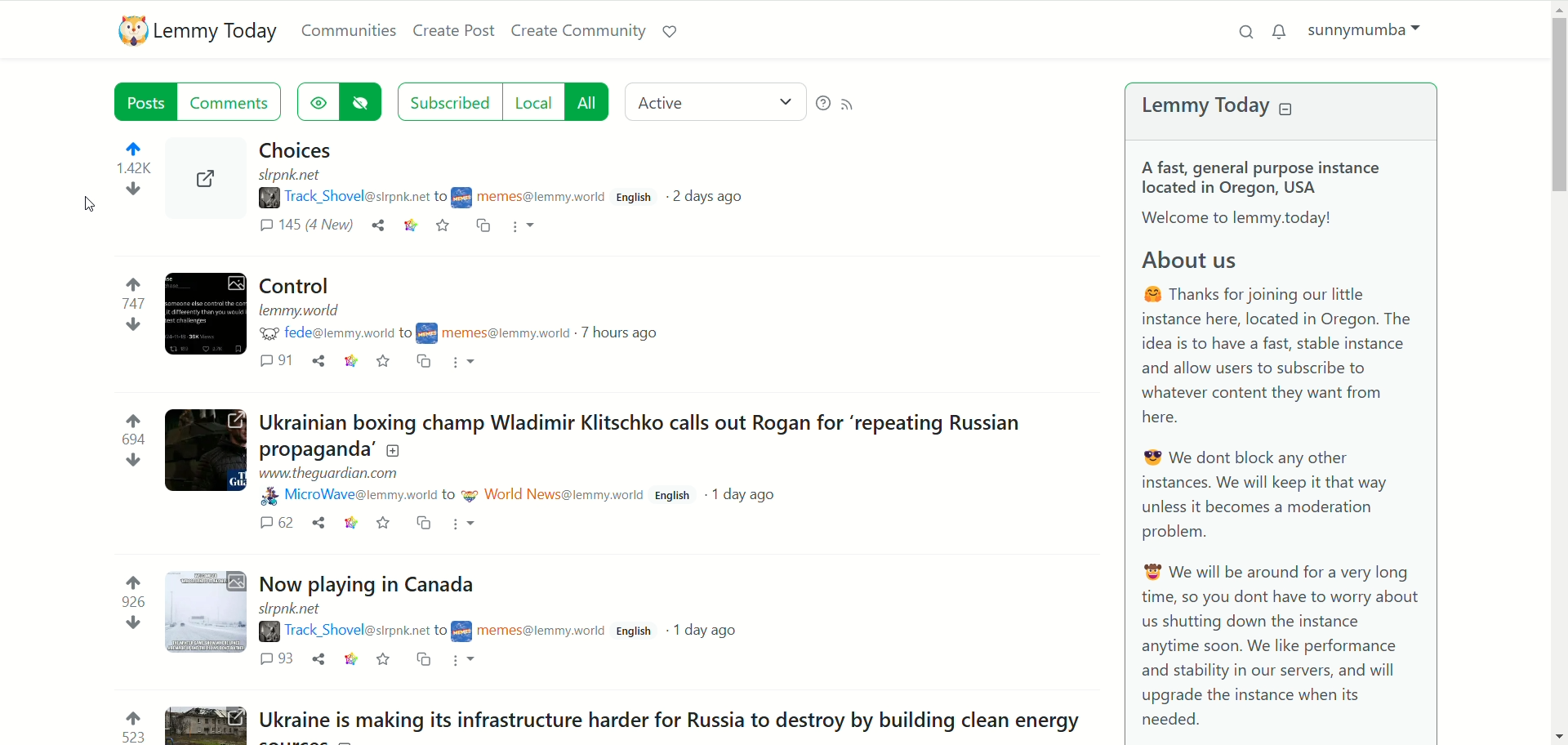 This screenshot has height=745, width=1568. I want to click on ® We will be around for a very longtime, so you dont have to worry about us shutting down the instance anytime soon. We like performance and stability in our servers, and will upgrade the instance when its needed., so click(1276, 649).